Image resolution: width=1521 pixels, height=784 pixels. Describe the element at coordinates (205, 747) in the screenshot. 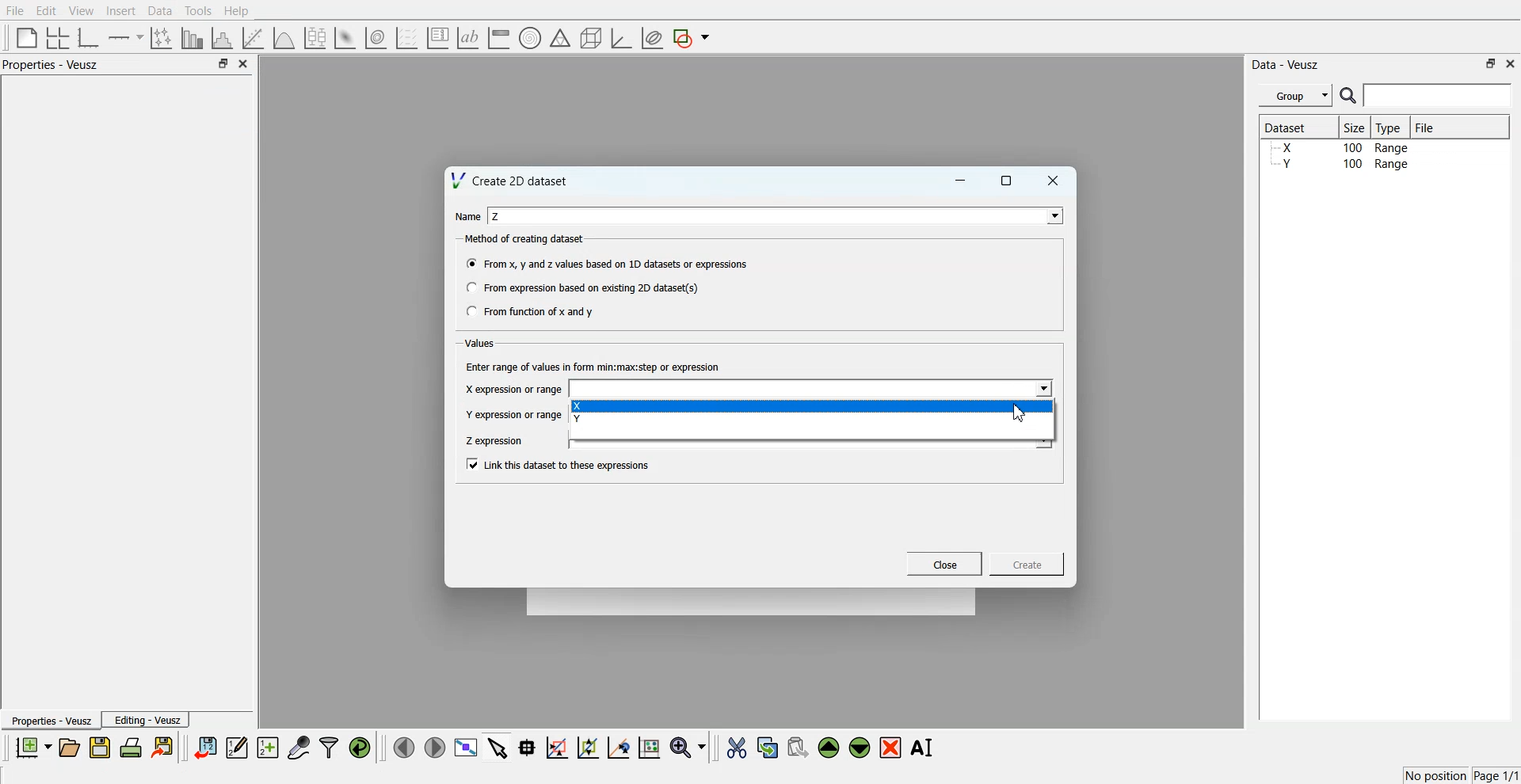

I see `Import dataset from veusz` at that location.